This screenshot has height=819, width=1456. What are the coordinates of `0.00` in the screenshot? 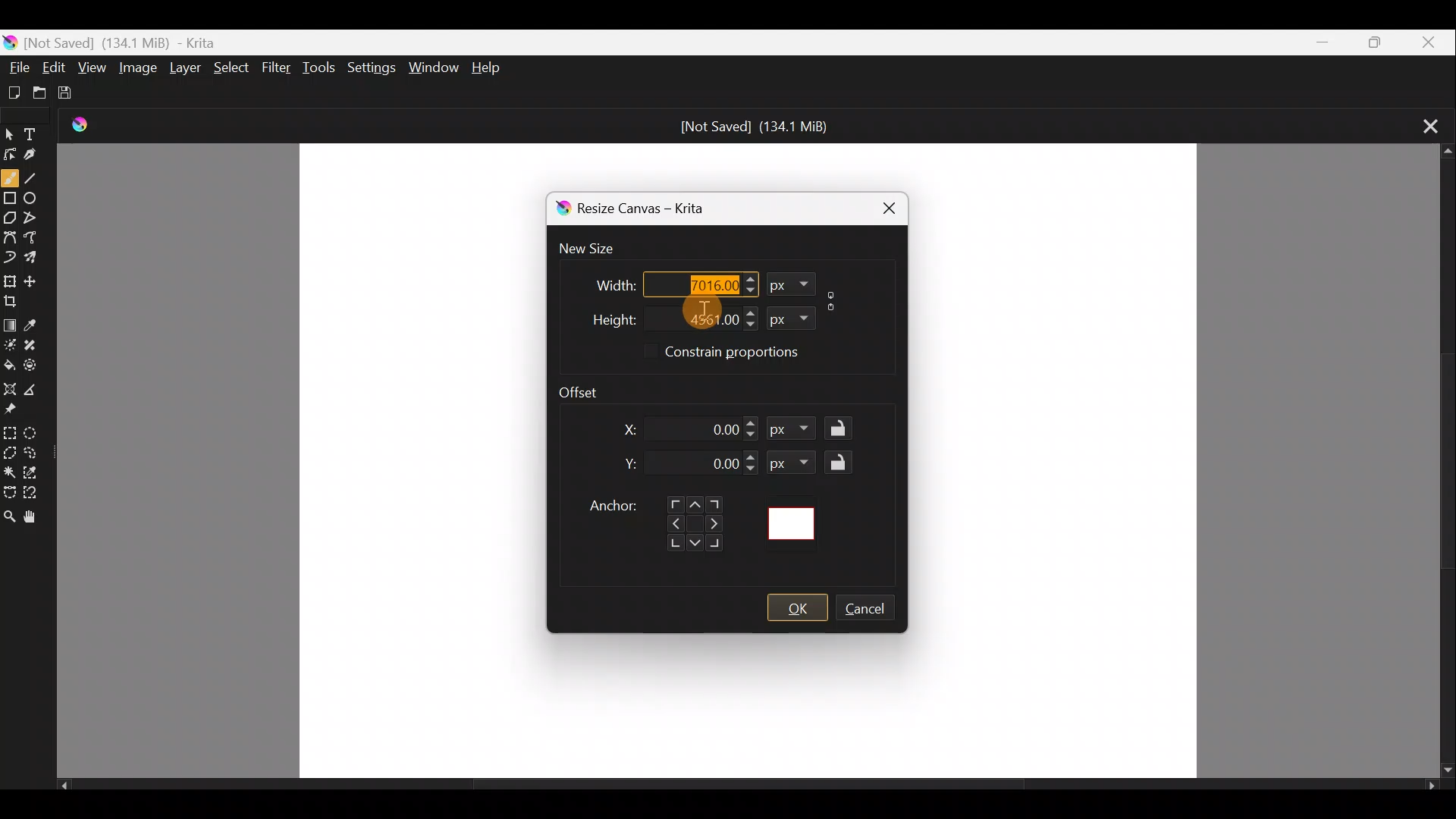 It's located at (711, 465).